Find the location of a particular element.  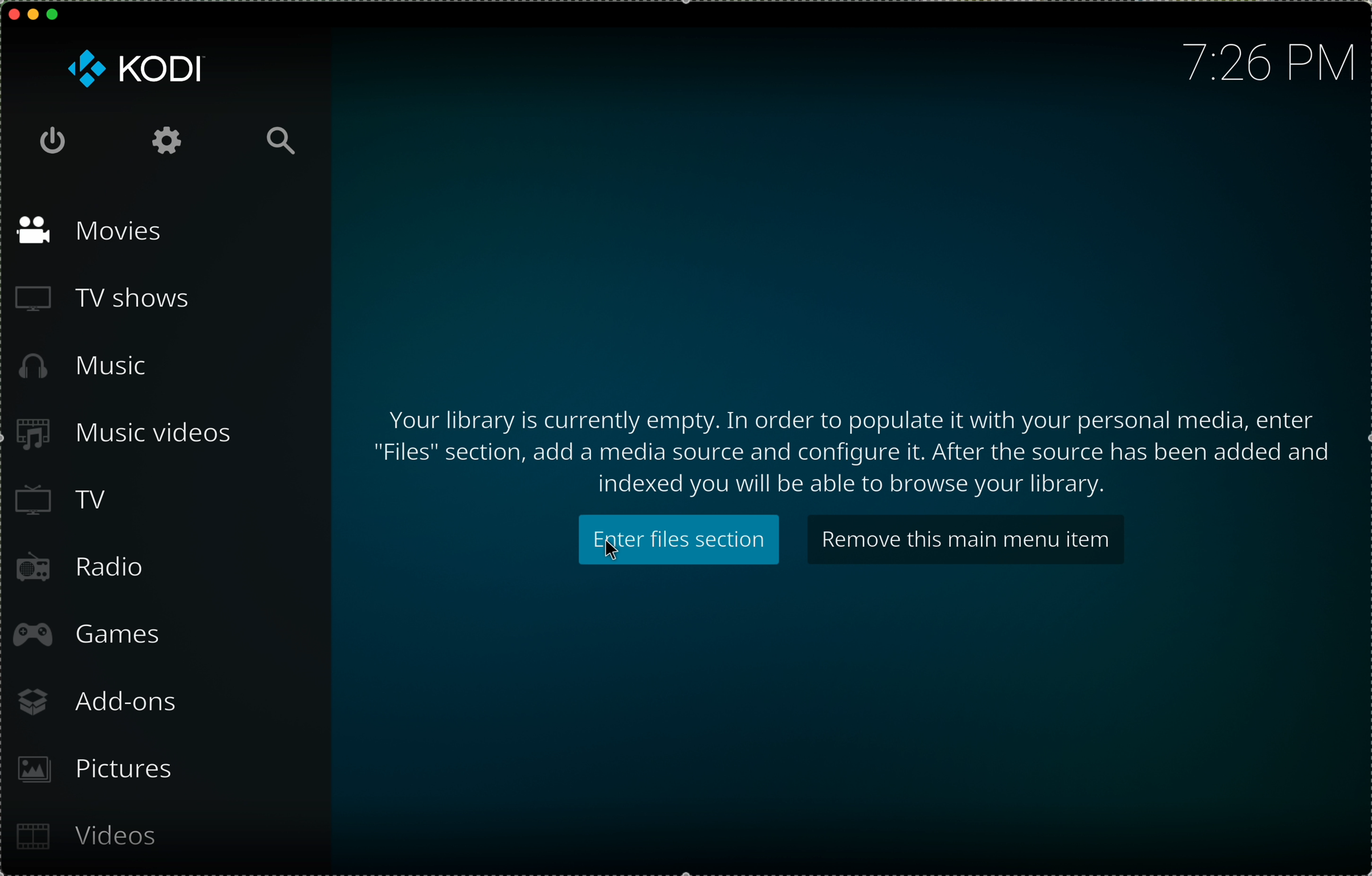

Music option is located at coordinates (82, 369).